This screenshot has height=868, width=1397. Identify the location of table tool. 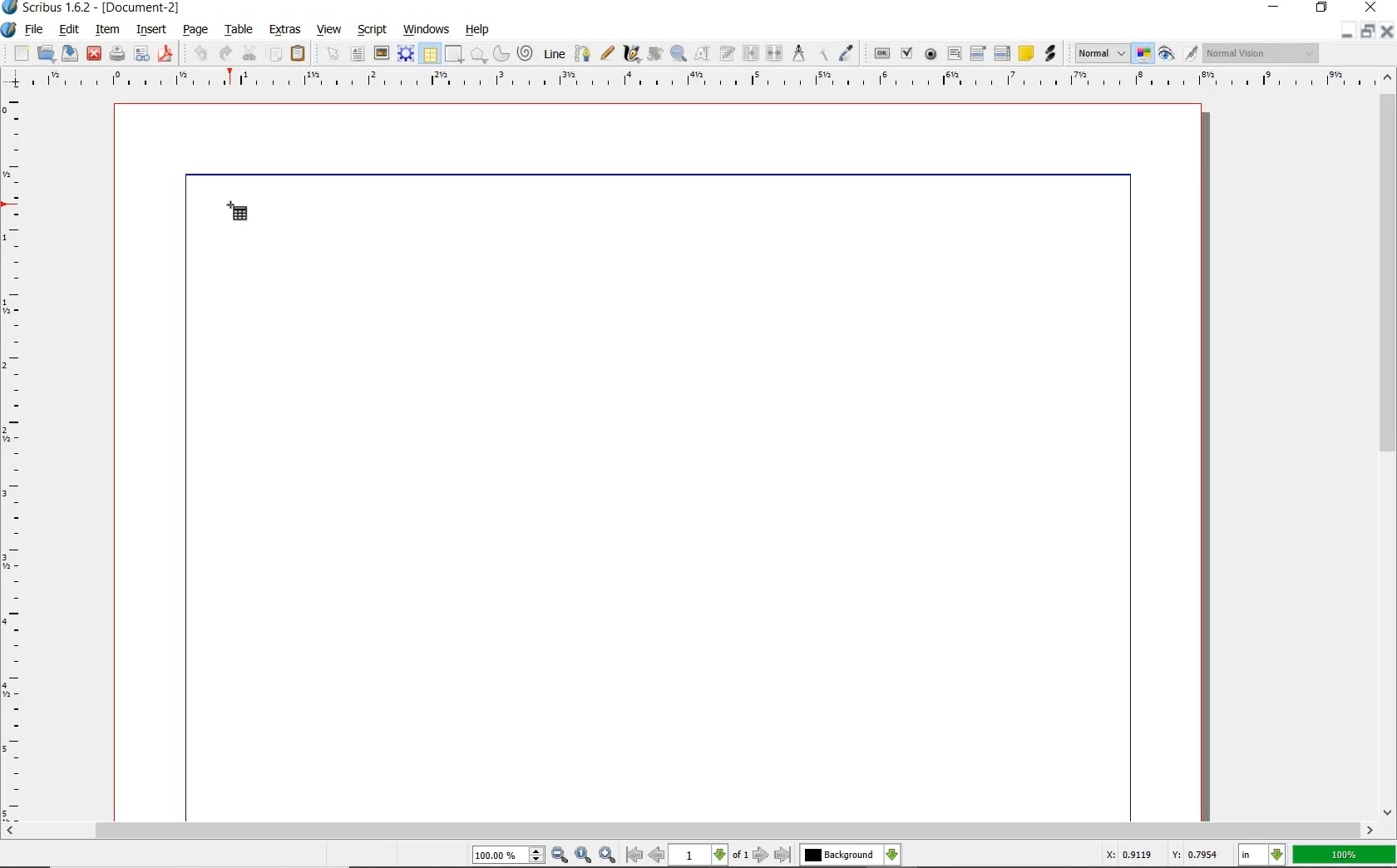
(239, 218).